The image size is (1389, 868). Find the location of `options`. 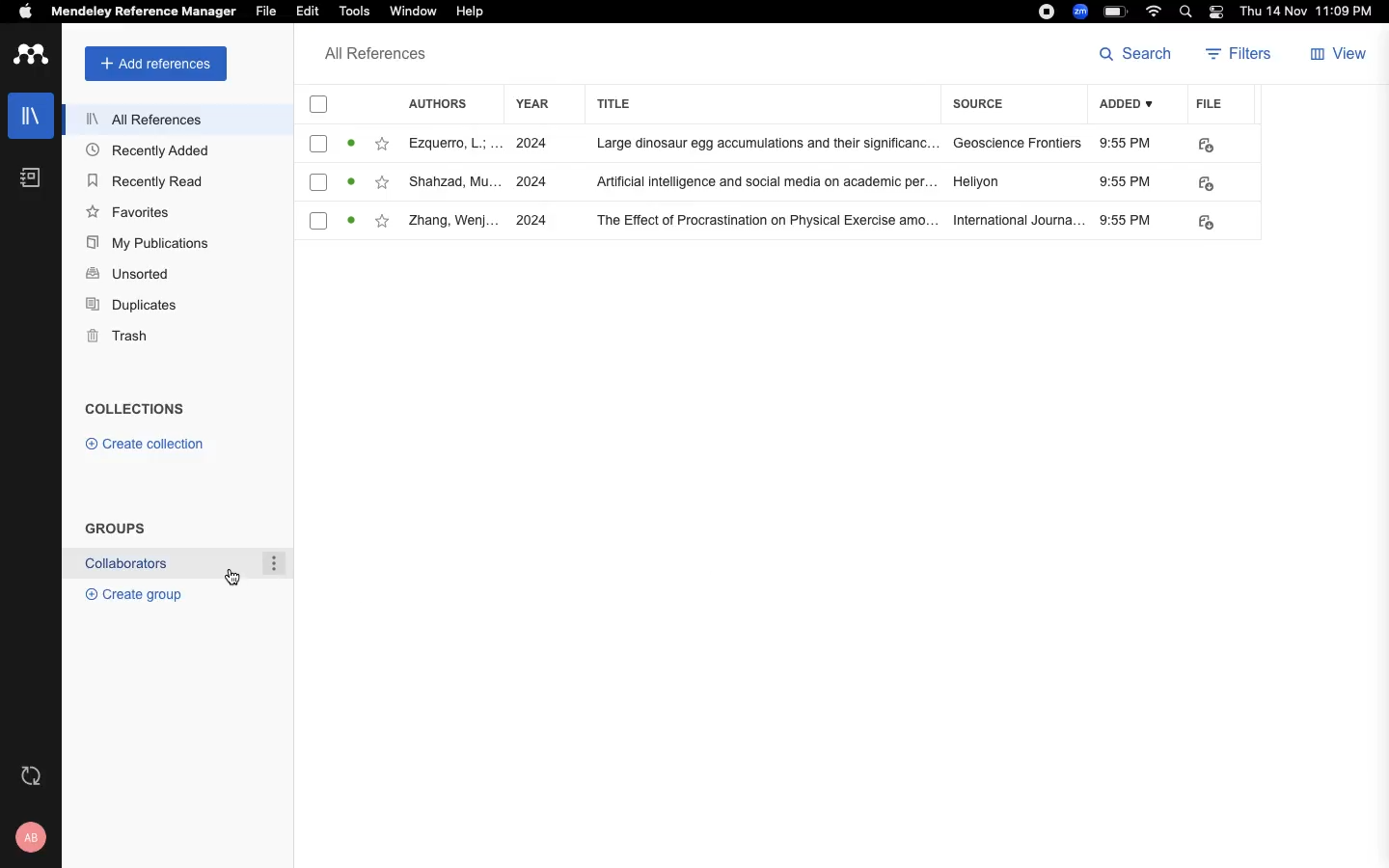

options is located at coordinates (271, 564).